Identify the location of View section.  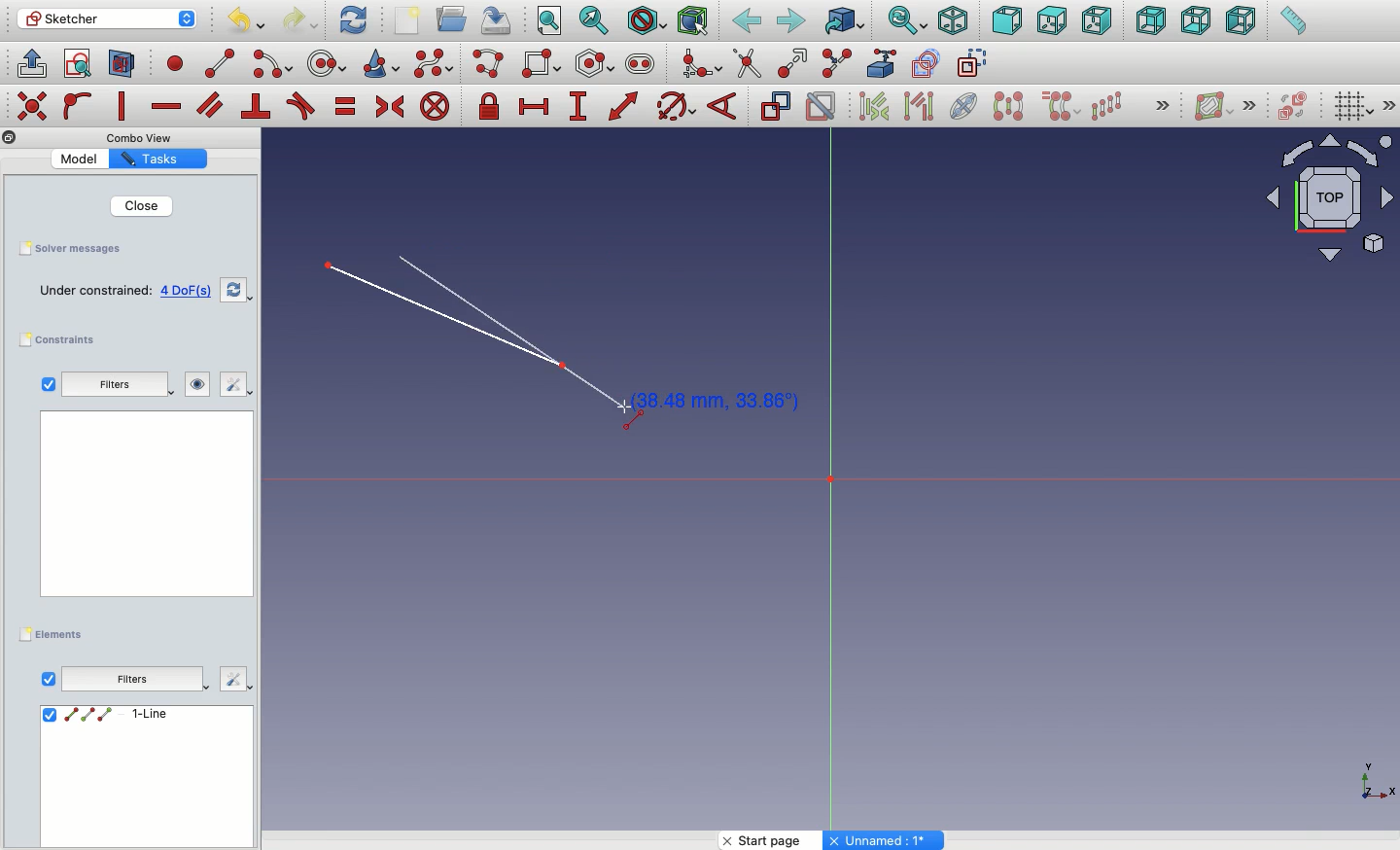
(122, 65).